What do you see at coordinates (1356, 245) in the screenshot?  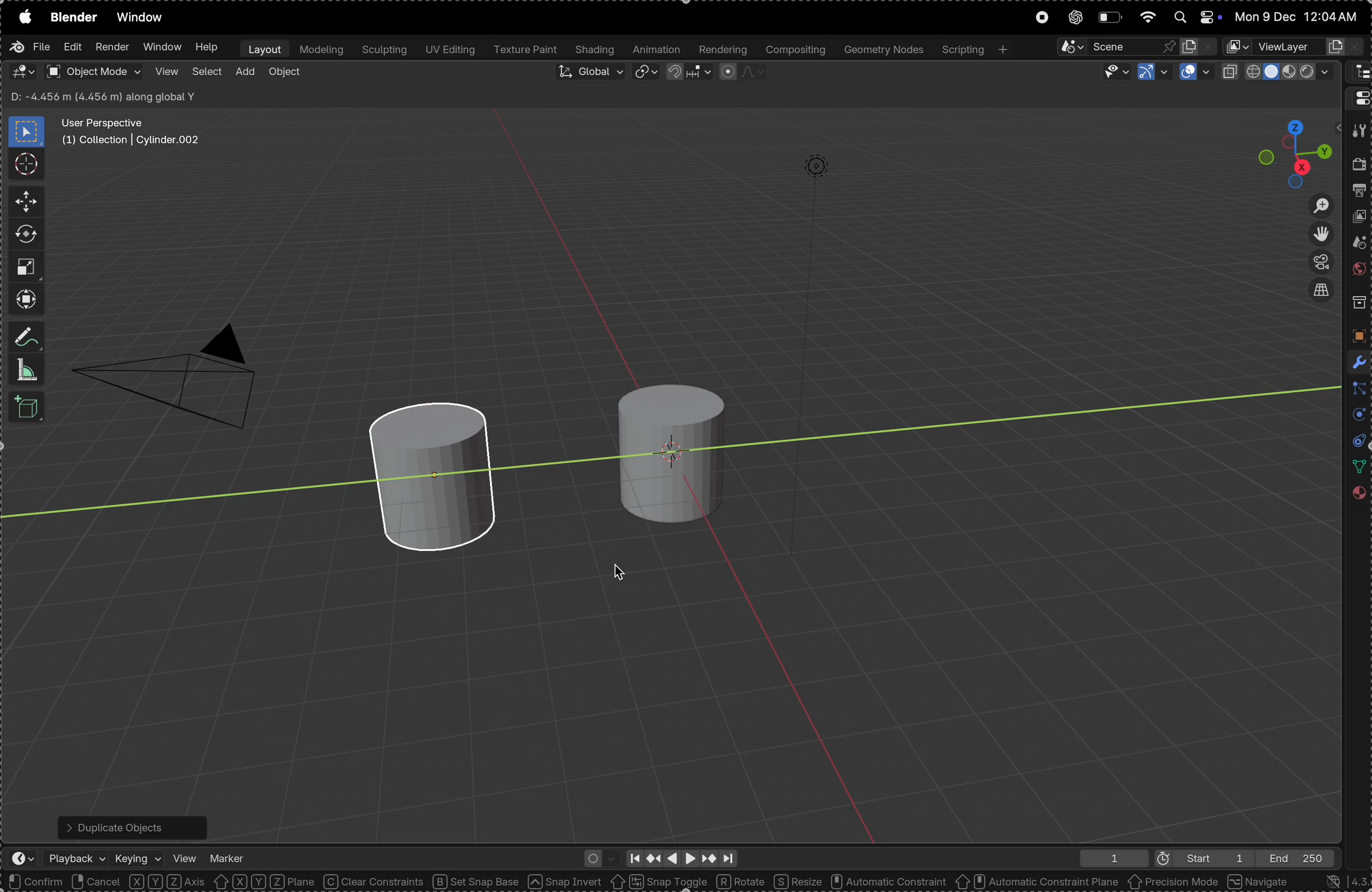 I see `scene` at bounding box center [1356, 245].